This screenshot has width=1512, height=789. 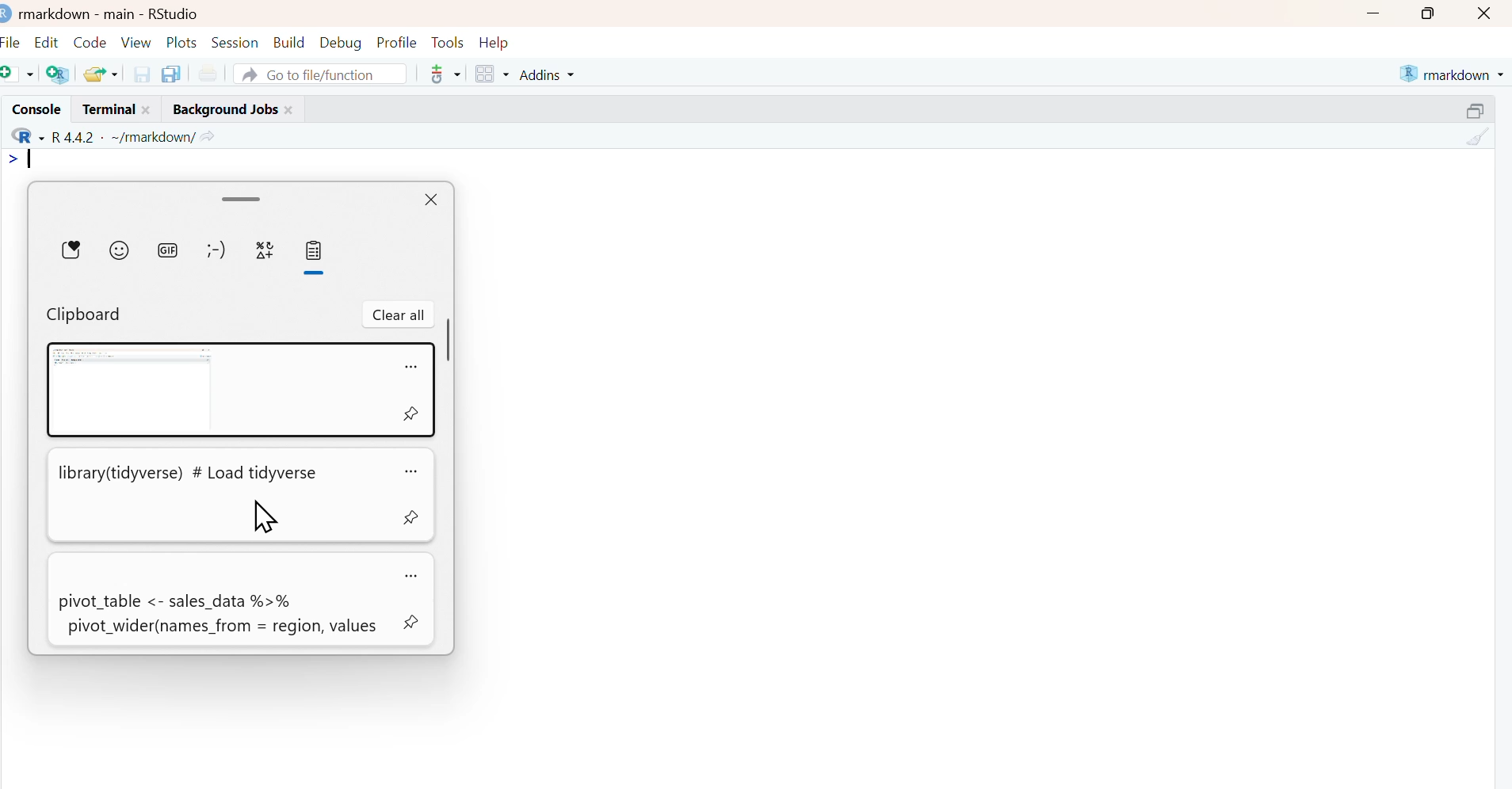 What do you see at coordinates (74, 135) in the screenshot?
I see `R 4.4.2` at bounding box center [74, 135].